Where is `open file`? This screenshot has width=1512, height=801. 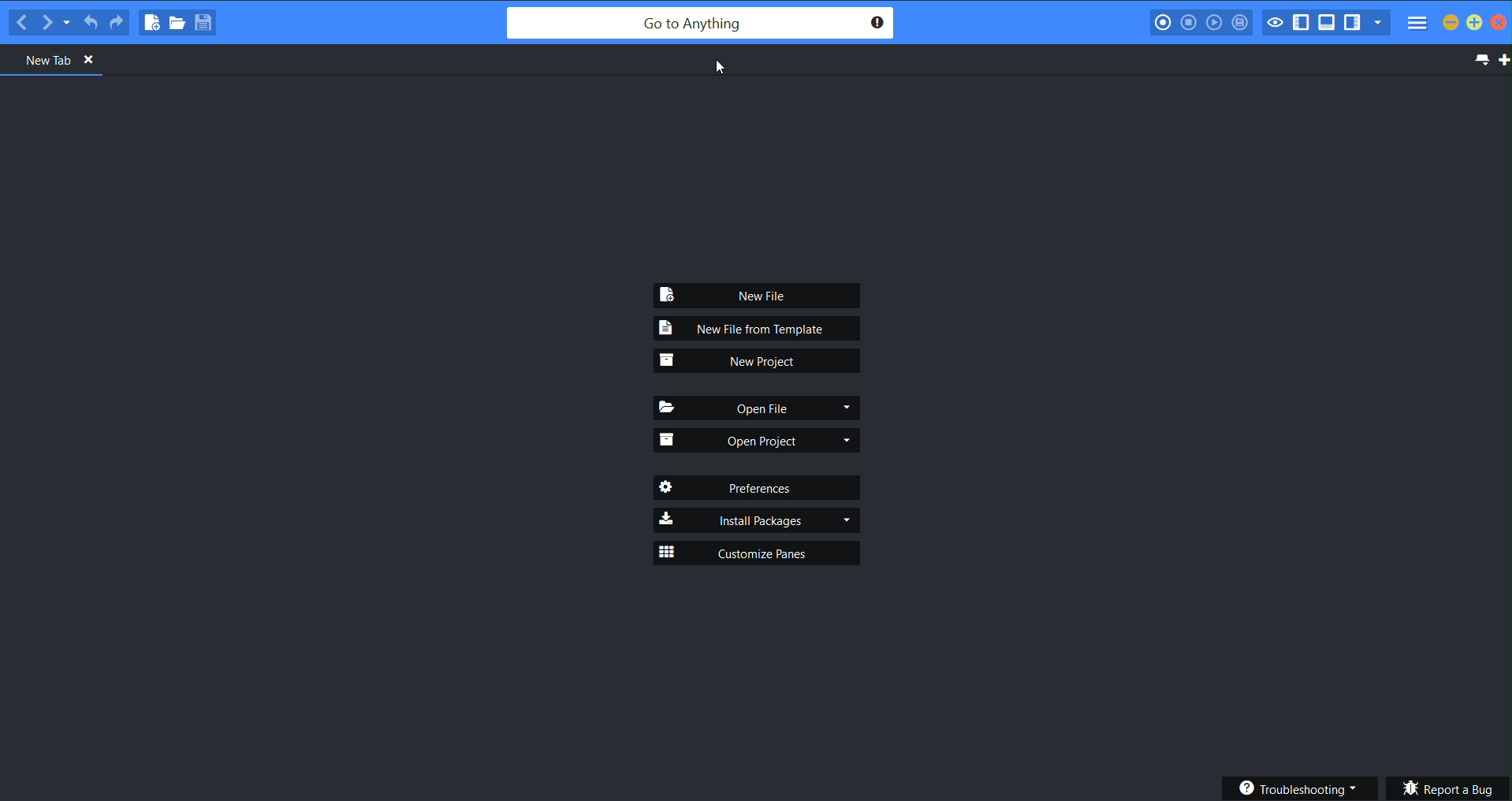
open file is located at coordinates (760, 410).